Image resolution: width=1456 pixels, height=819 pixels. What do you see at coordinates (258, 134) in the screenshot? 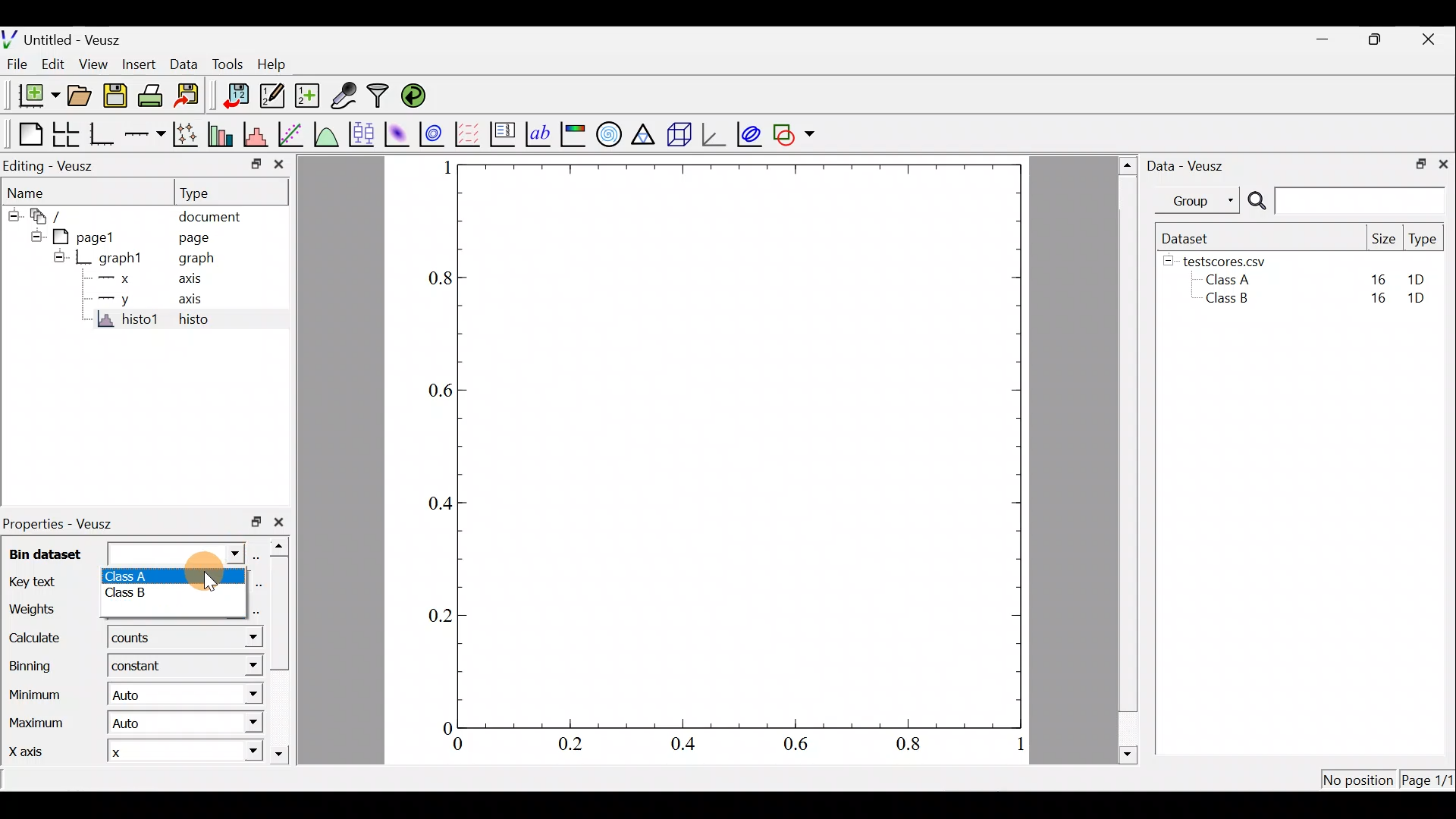
I see `Histogram of a dataset` at bounding box center [258, 134].